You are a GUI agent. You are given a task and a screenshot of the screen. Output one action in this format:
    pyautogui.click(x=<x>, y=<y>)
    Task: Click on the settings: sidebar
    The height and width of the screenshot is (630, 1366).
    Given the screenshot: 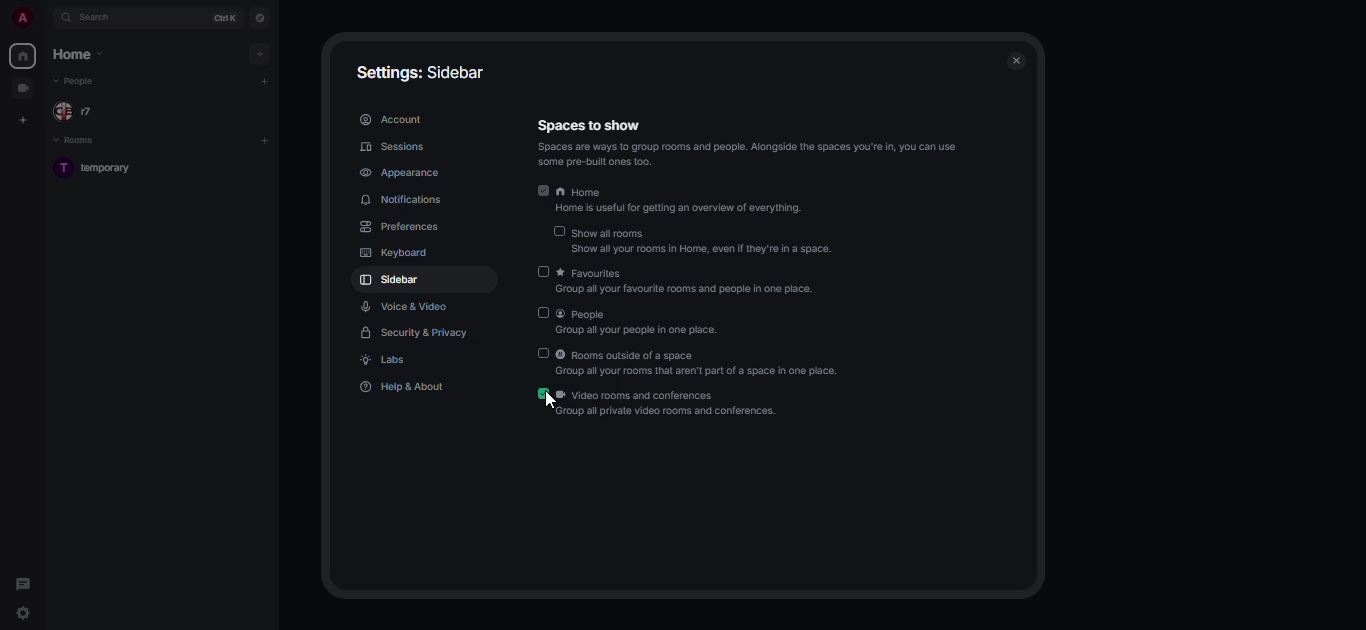 What is the action you would take?
    pyautogui.click(x=422, y=72)
    